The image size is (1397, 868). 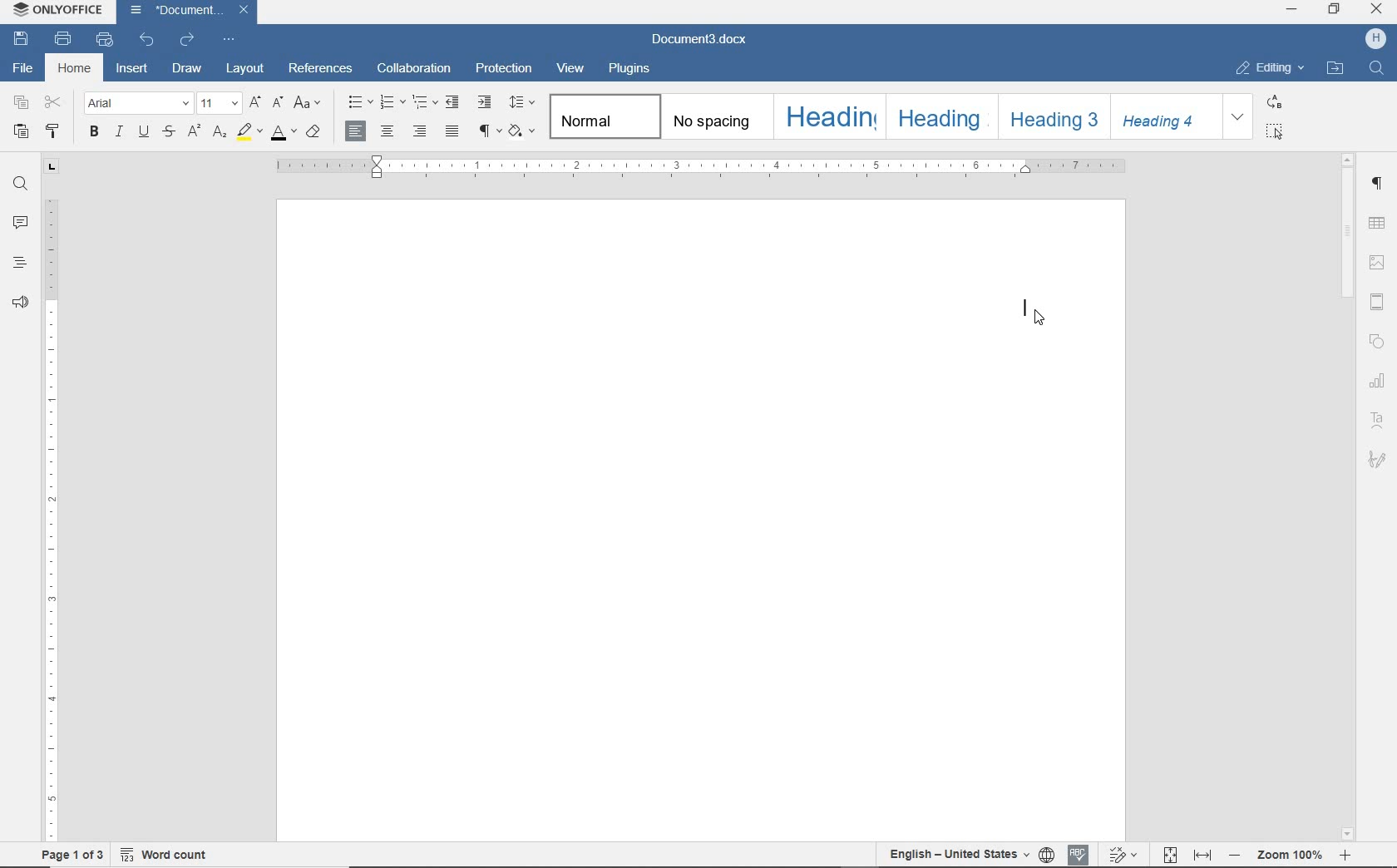 I want to click on JUSTIFIED, so click(x=453, y=131).